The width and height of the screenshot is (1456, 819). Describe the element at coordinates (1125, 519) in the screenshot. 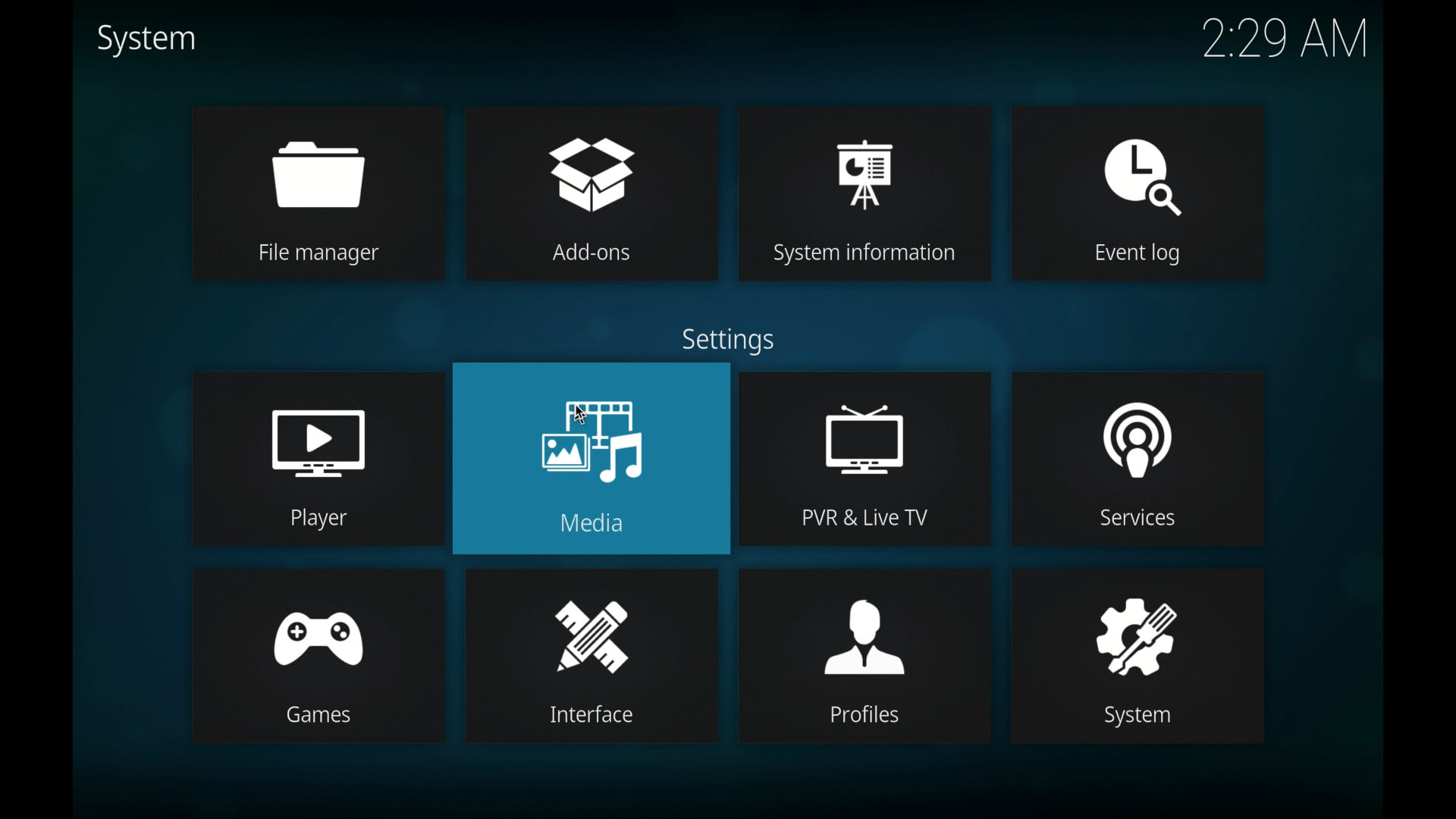

I see ` Services` at that location.